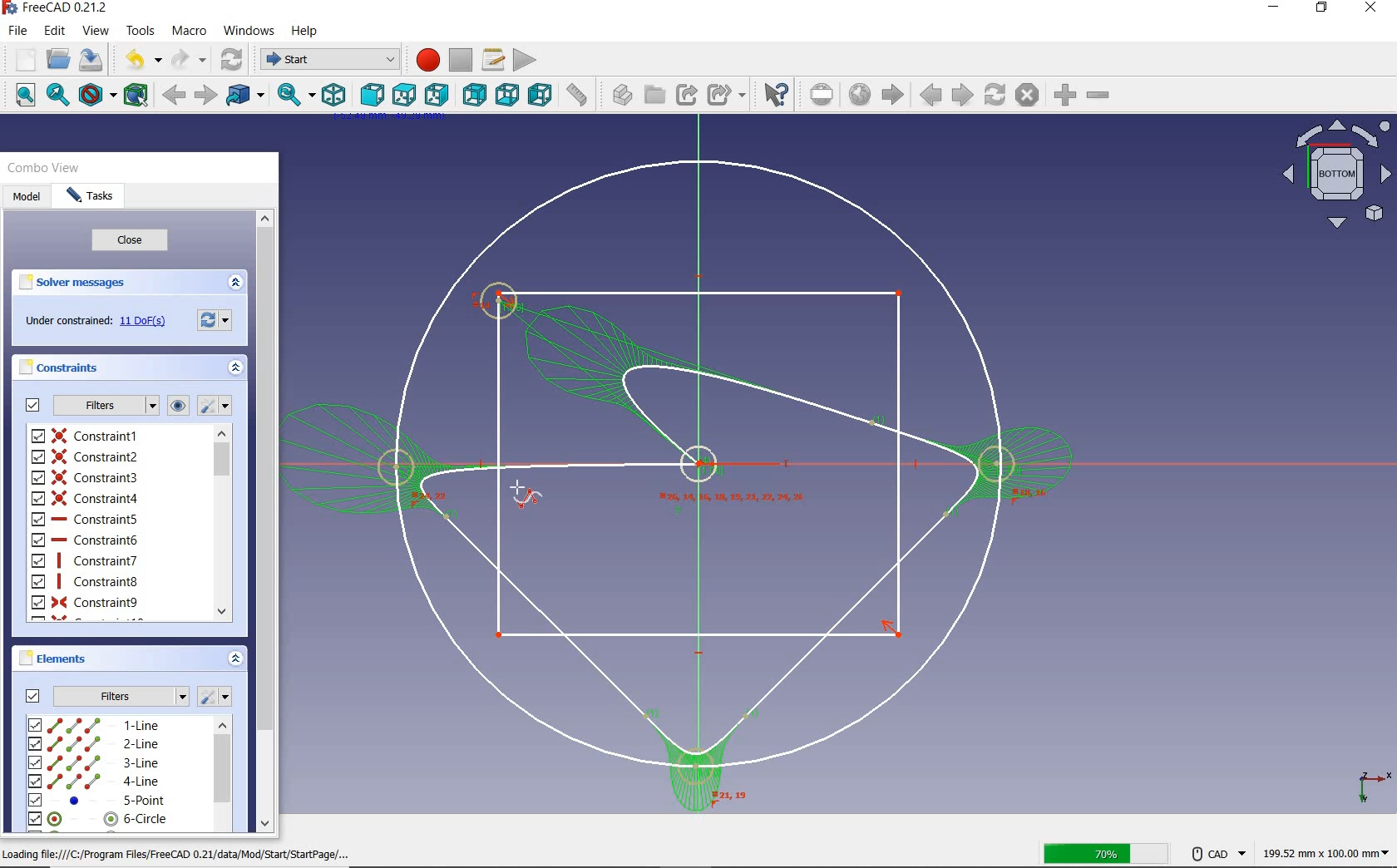 This screenshot has height=868, width=1397. What do you see at coordinates (222, 776) in the screenshot?
I see `scrollbar` at bounding box center [222, 776].